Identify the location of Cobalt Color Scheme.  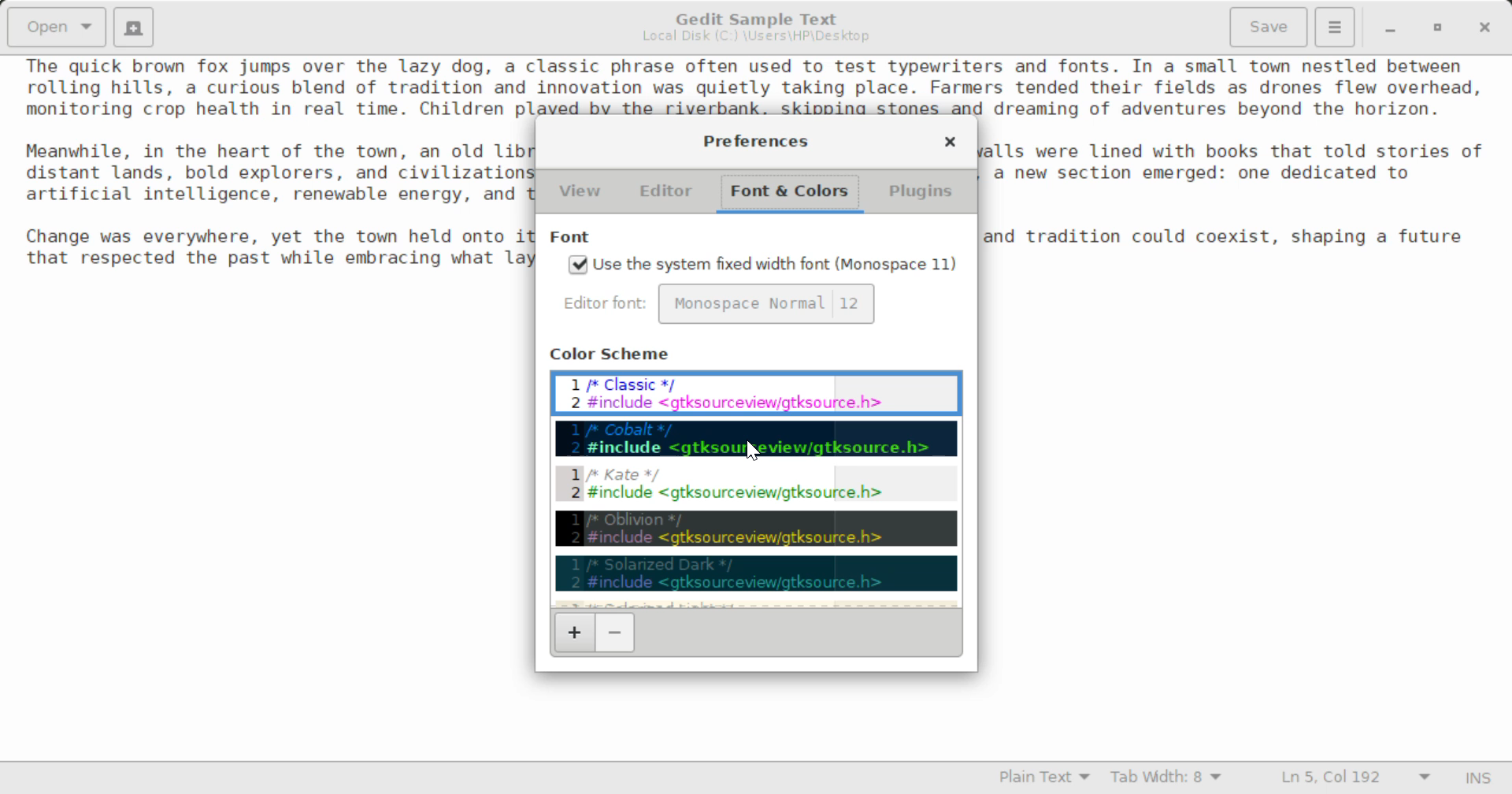
(754, 437).